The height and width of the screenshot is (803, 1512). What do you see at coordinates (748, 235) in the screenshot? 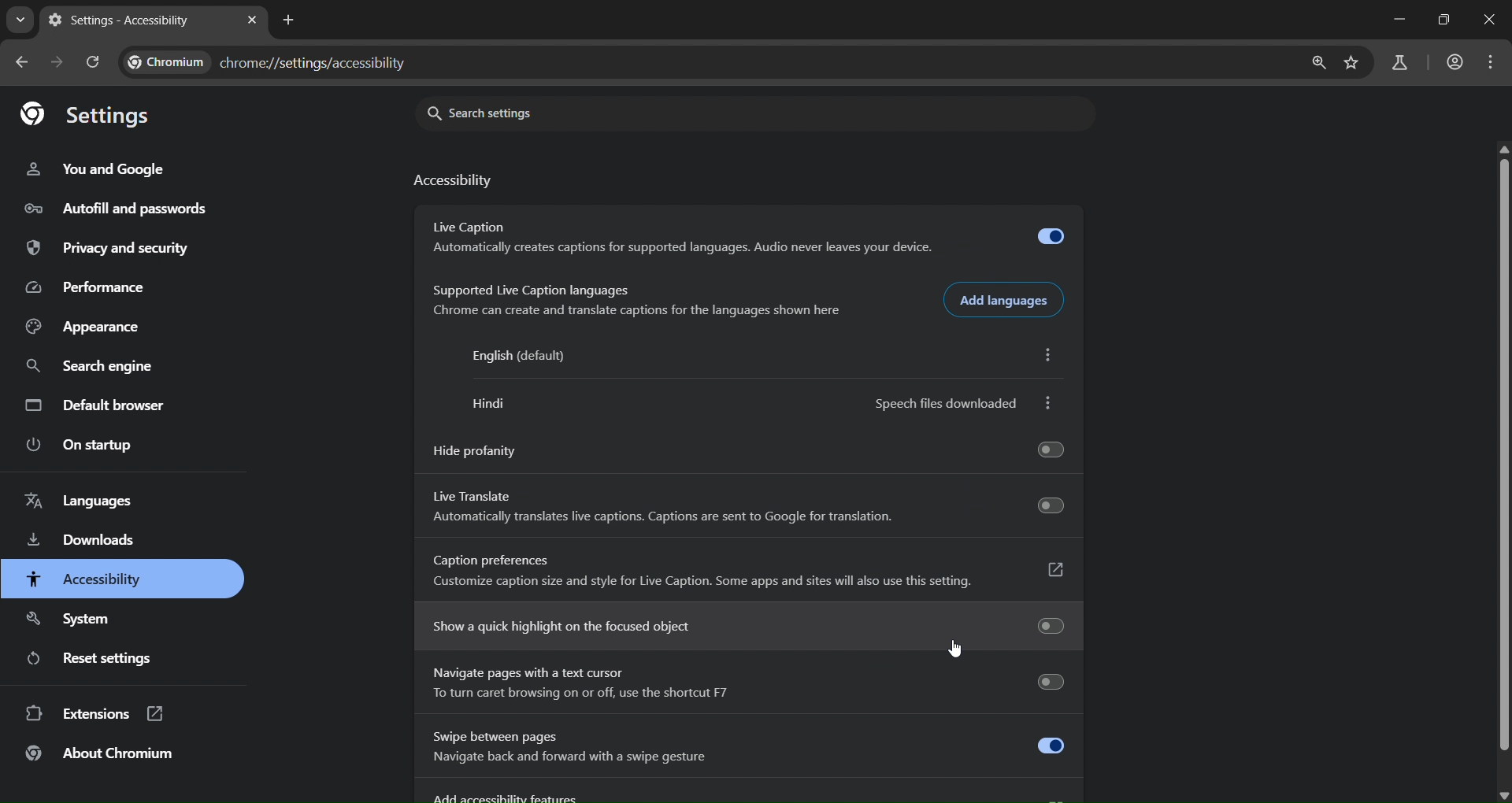
I see `Live Caption ©
Automatically creates captions for supported languages. Audio never leaves your device.` at bounding box center [748, 235].